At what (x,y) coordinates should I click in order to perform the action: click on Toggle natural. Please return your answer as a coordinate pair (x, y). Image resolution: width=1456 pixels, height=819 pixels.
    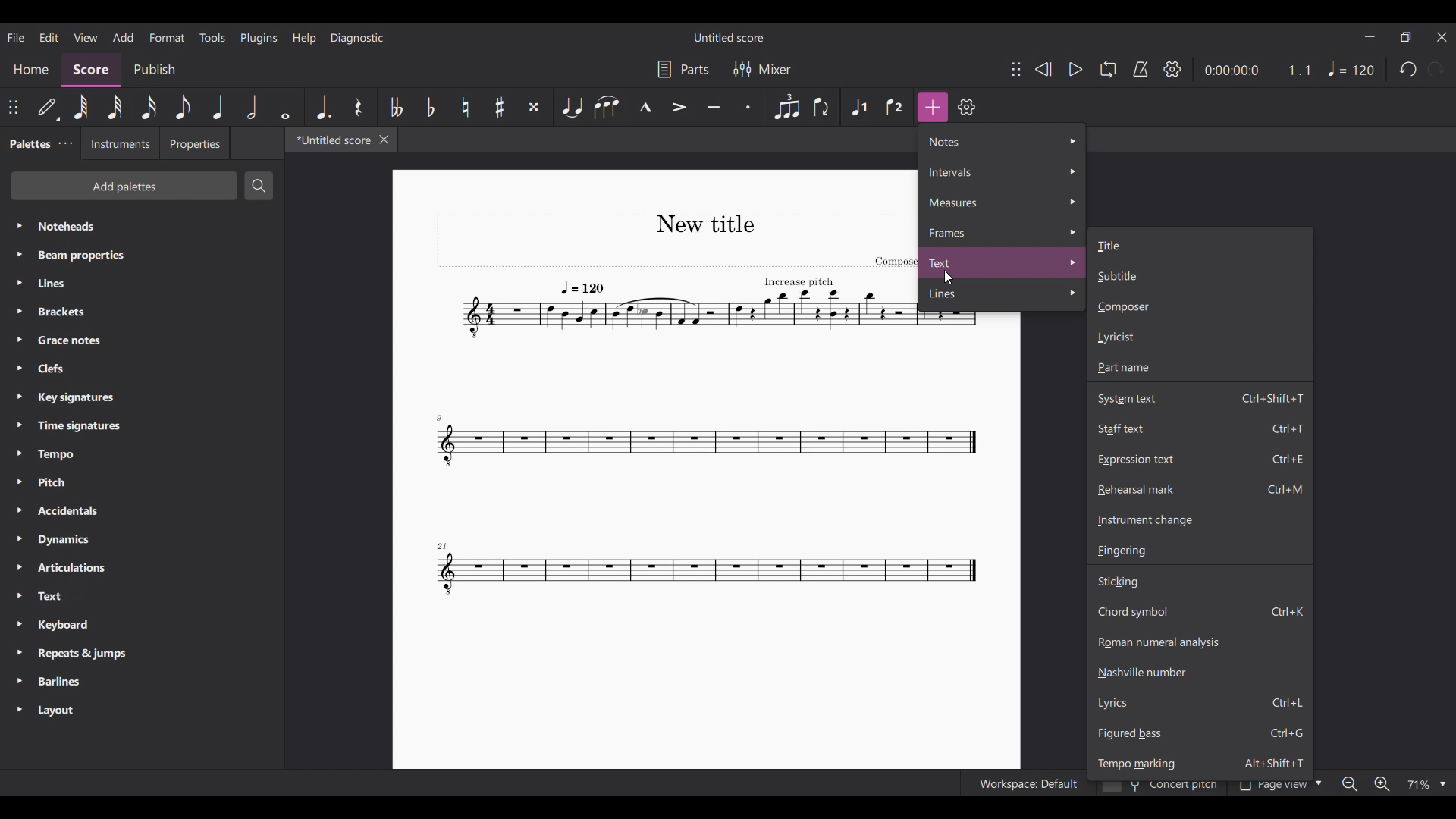
    Looking at the image, I should click on (465, 107).